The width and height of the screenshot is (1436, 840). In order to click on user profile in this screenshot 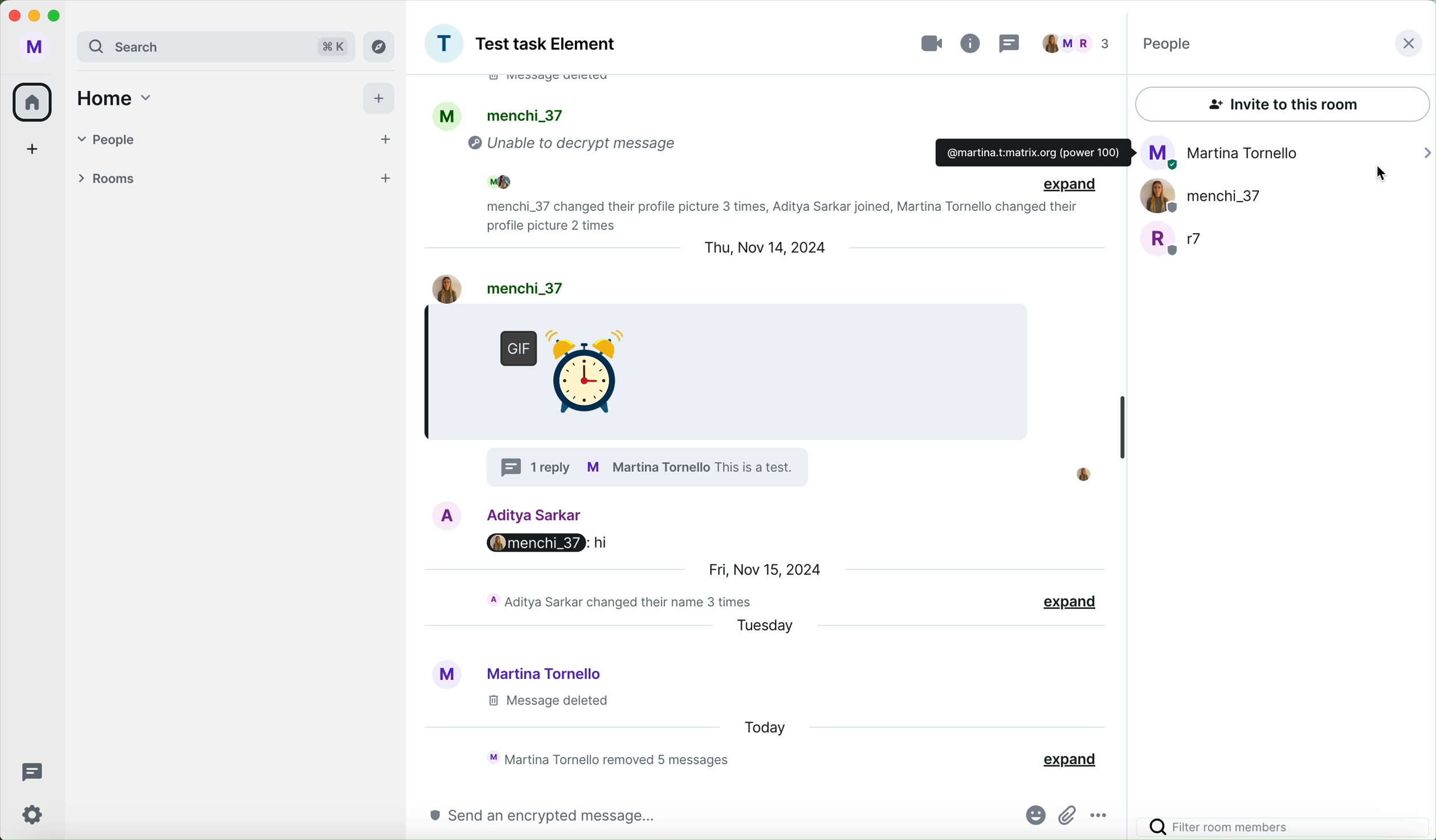, I will do `click(35, 47)`.